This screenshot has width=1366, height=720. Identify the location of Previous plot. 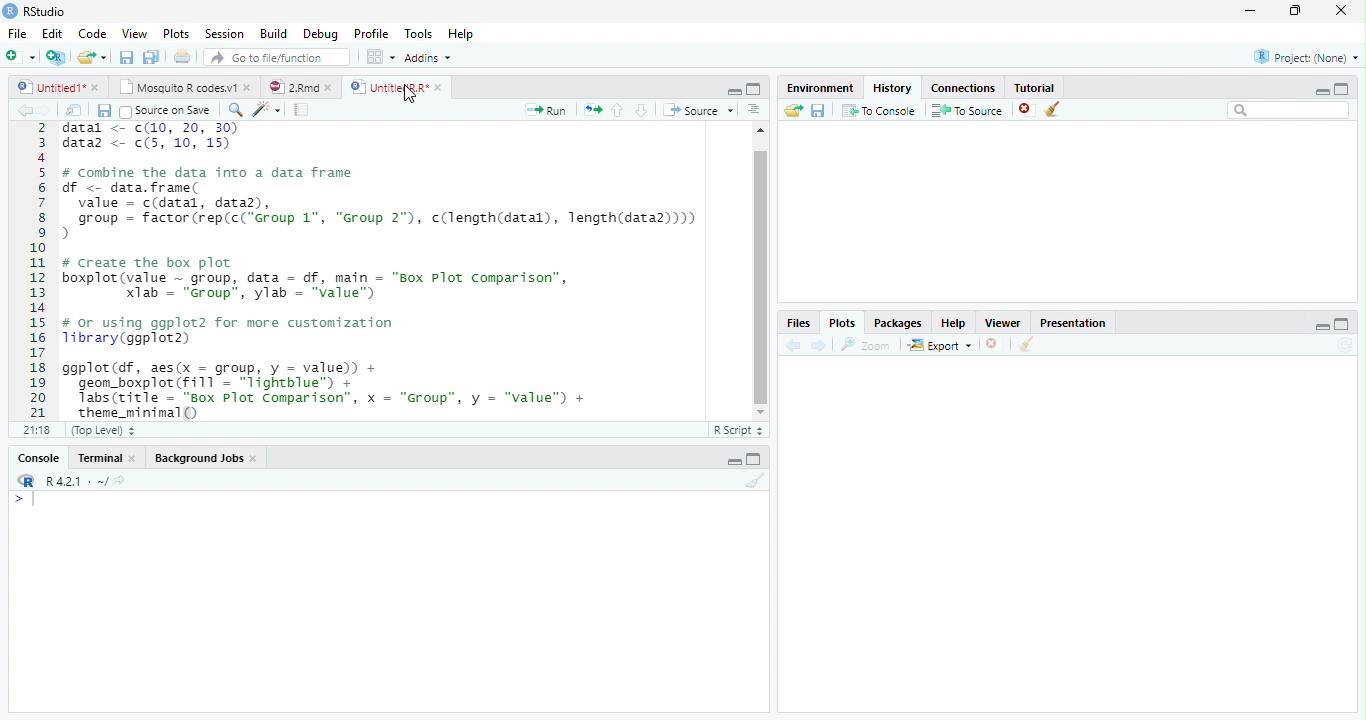
(793, 345).